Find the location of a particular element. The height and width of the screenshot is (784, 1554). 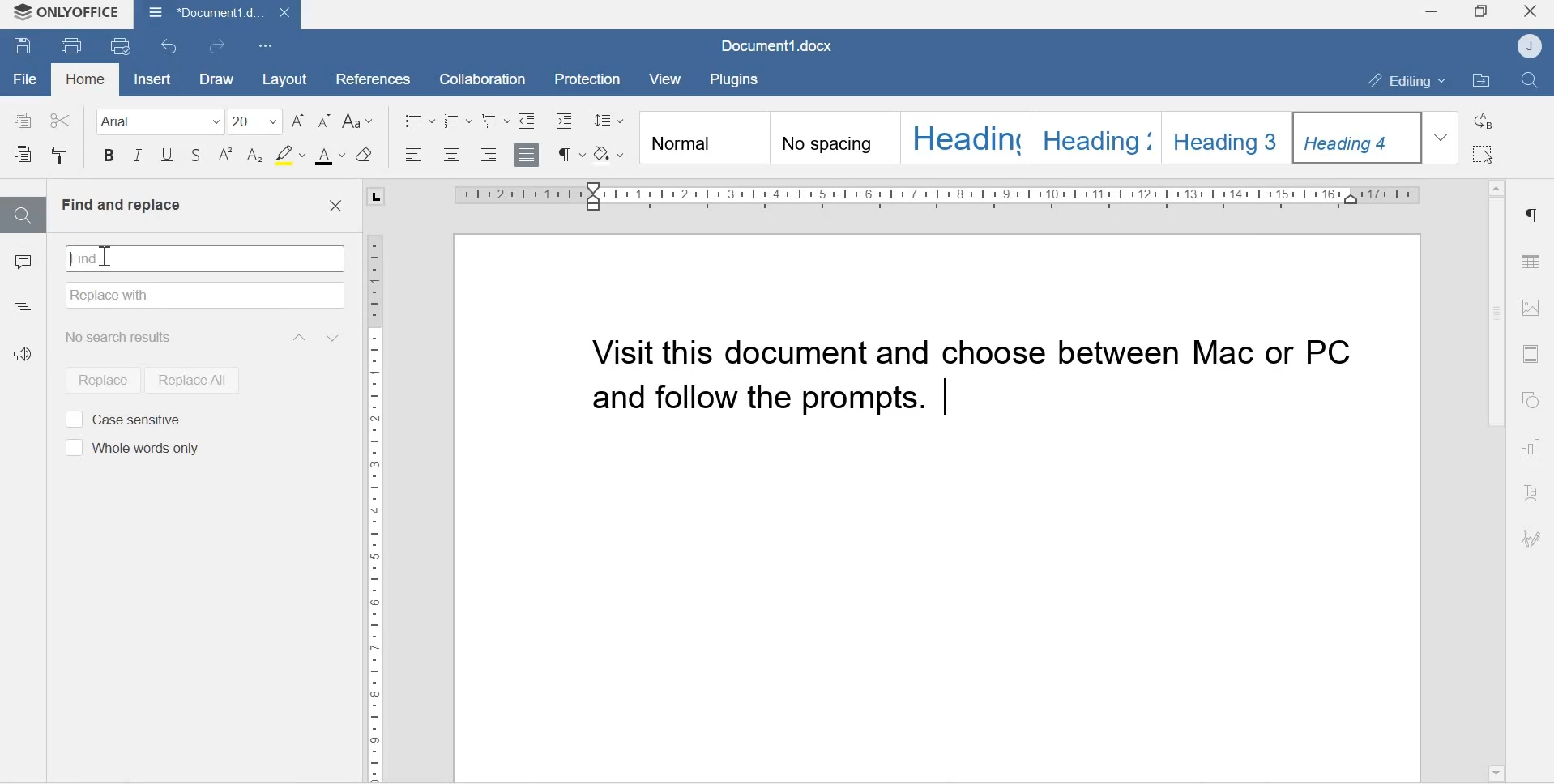

Customize Quick Access Toolbar is located at coordinates (267, 45).